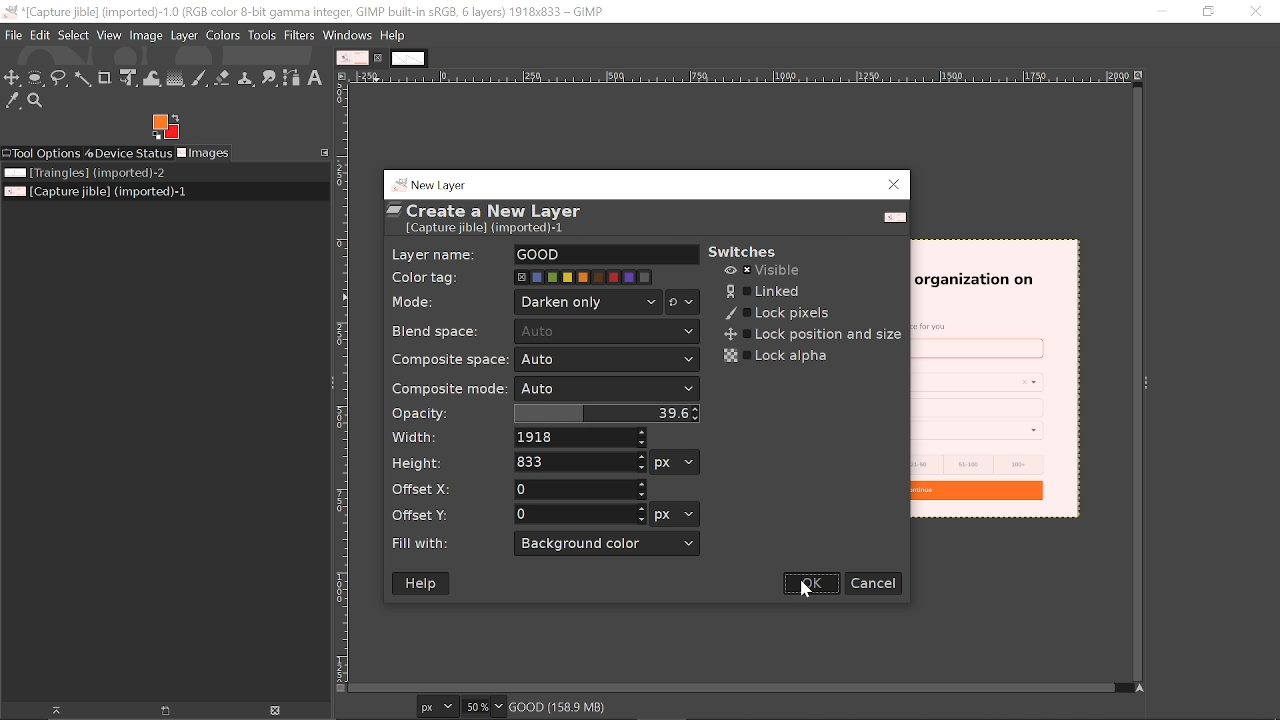  Describe the element at coordinates (742, 77) in the screenshot. I see `Horizontal label` at that location.